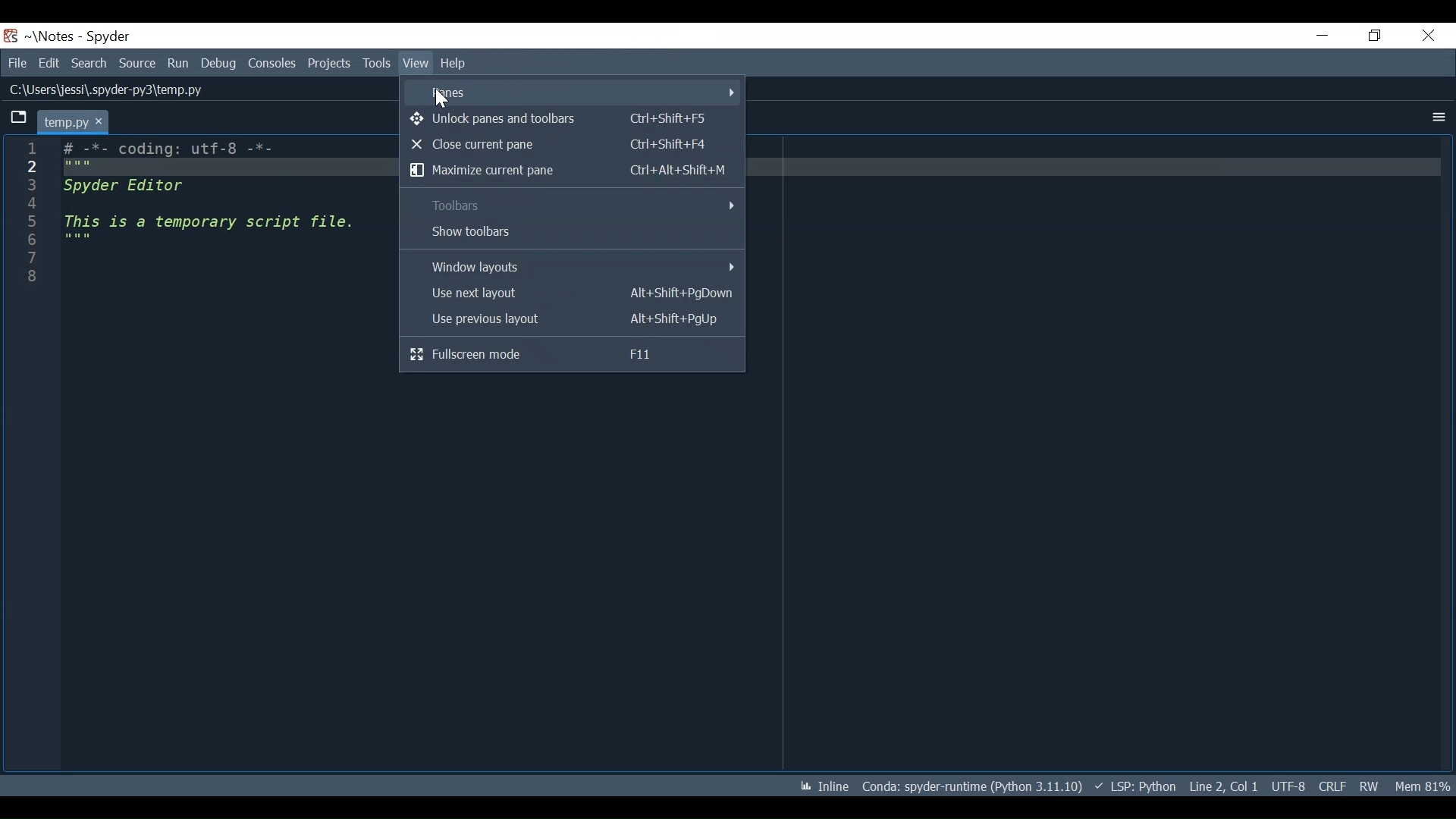  I want to click on Run, so click(179, 63).